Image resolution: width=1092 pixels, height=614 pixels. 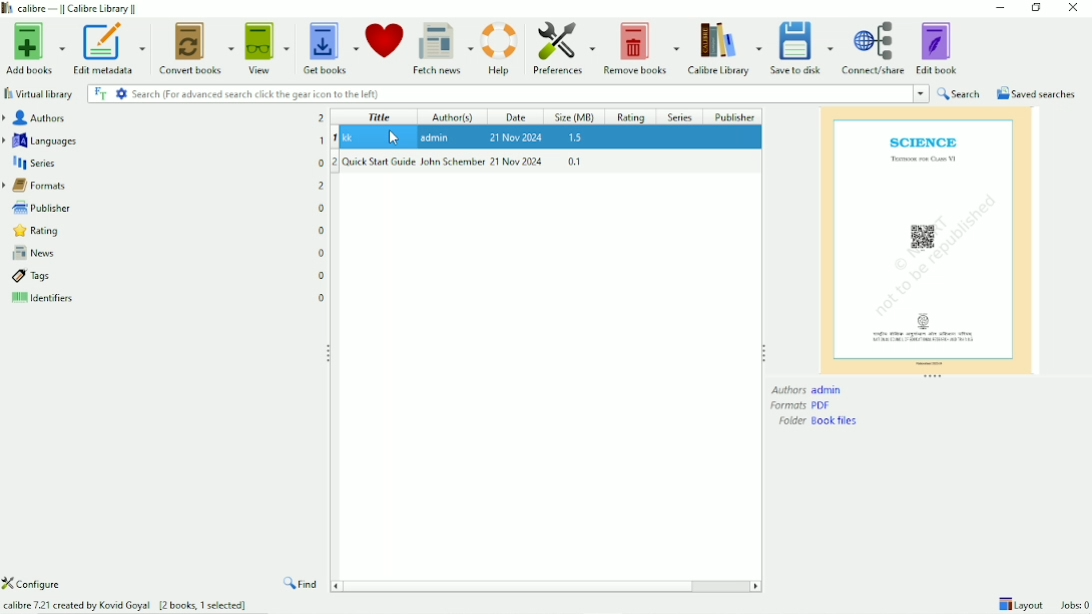 I want to click on 0, so click(x=322, y=253).